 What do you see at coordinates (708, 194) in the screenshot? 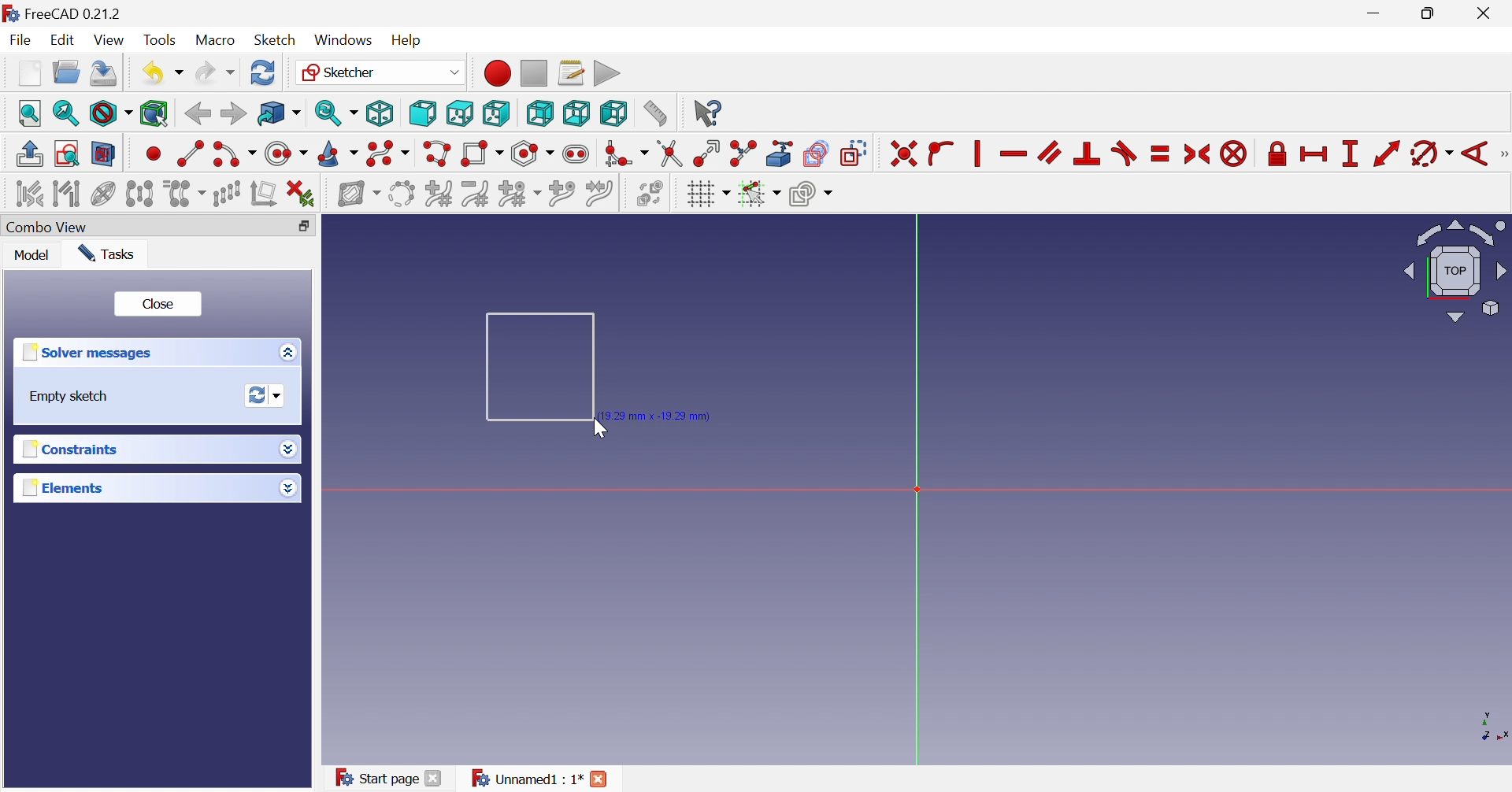
I see `Toggle grid` at bounding box center [708, 194].